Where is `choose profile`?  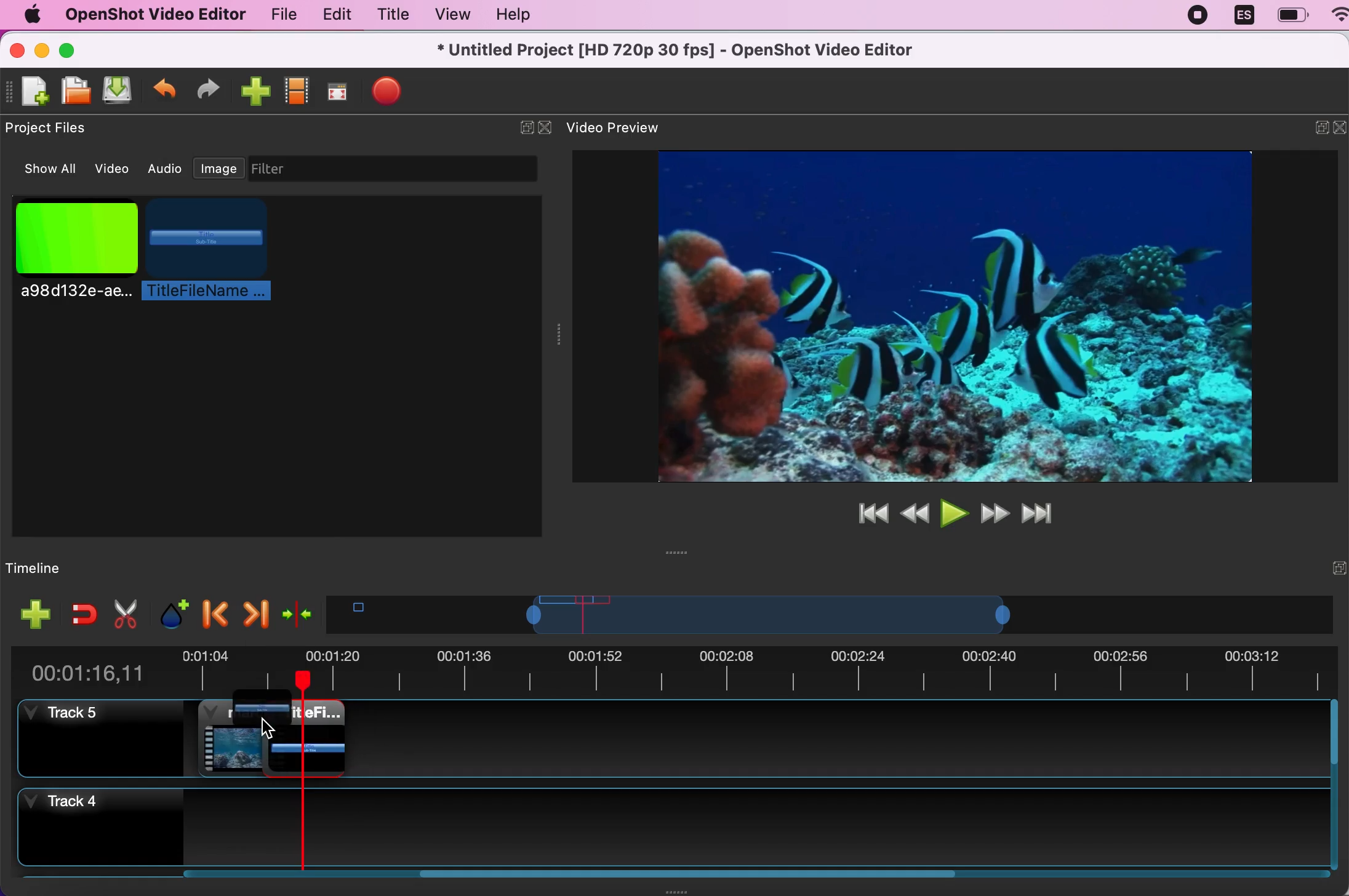
choose profile is located at coordinates (298, 89).